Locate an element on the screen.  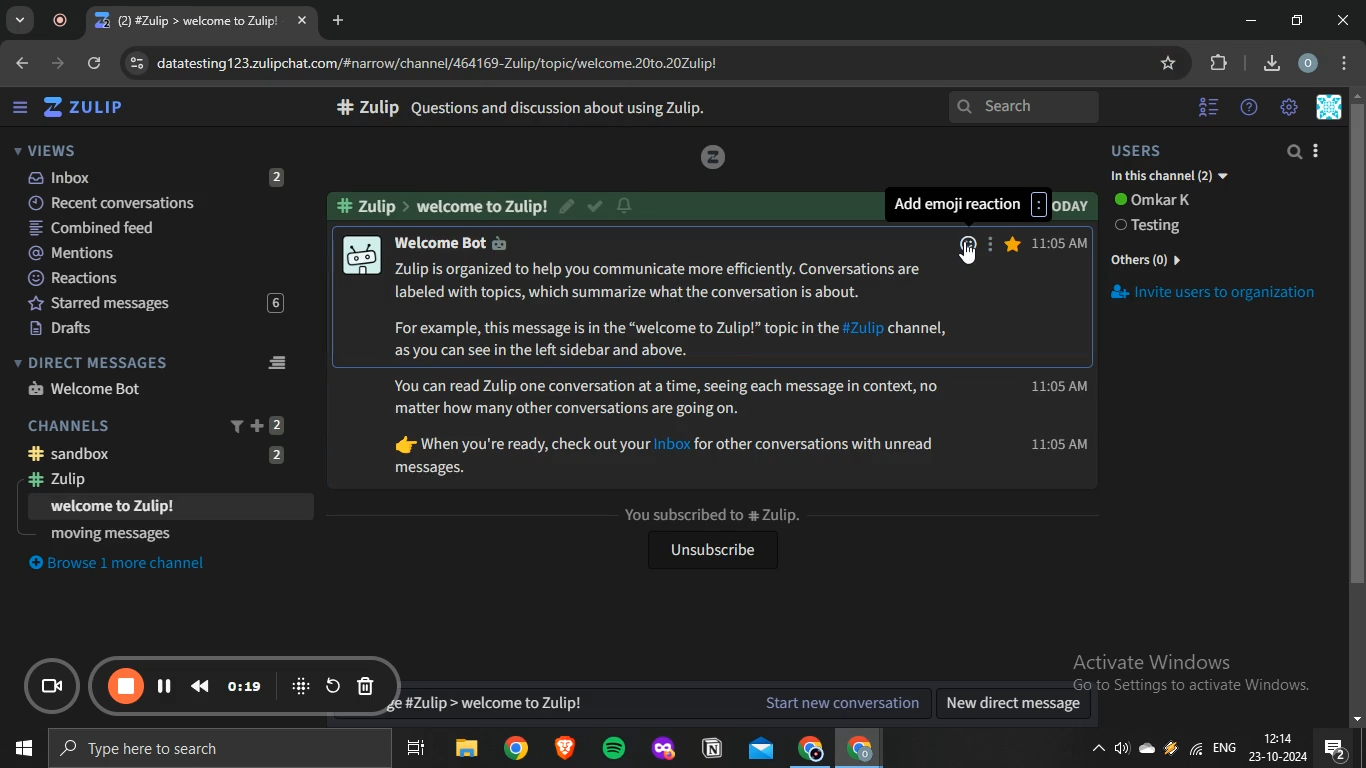
zulip is located at coordinates (159, 481).